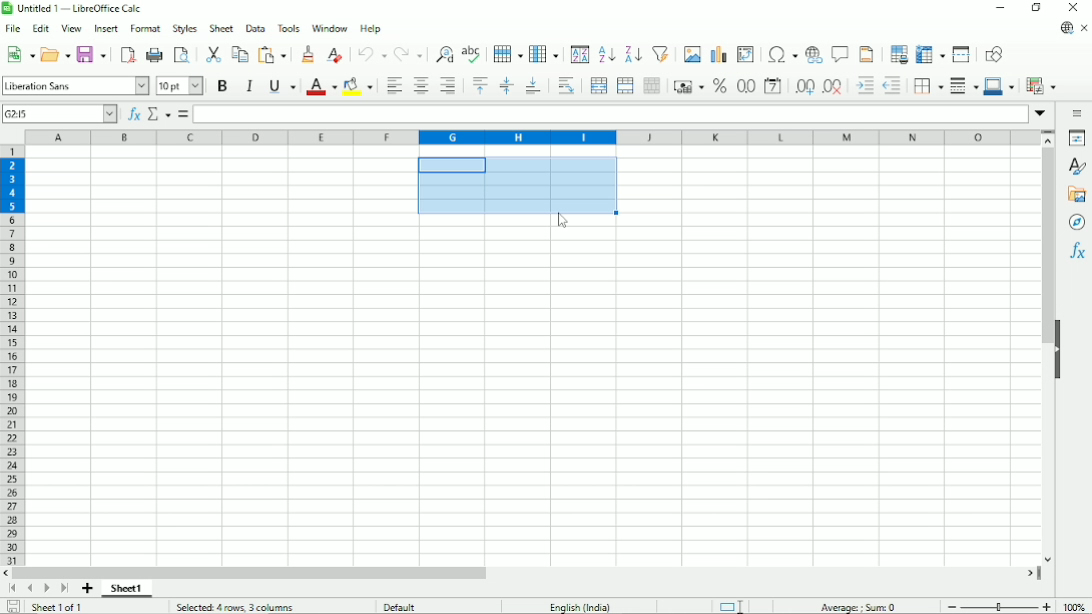  I want to click on Split window, so click(963, 54).